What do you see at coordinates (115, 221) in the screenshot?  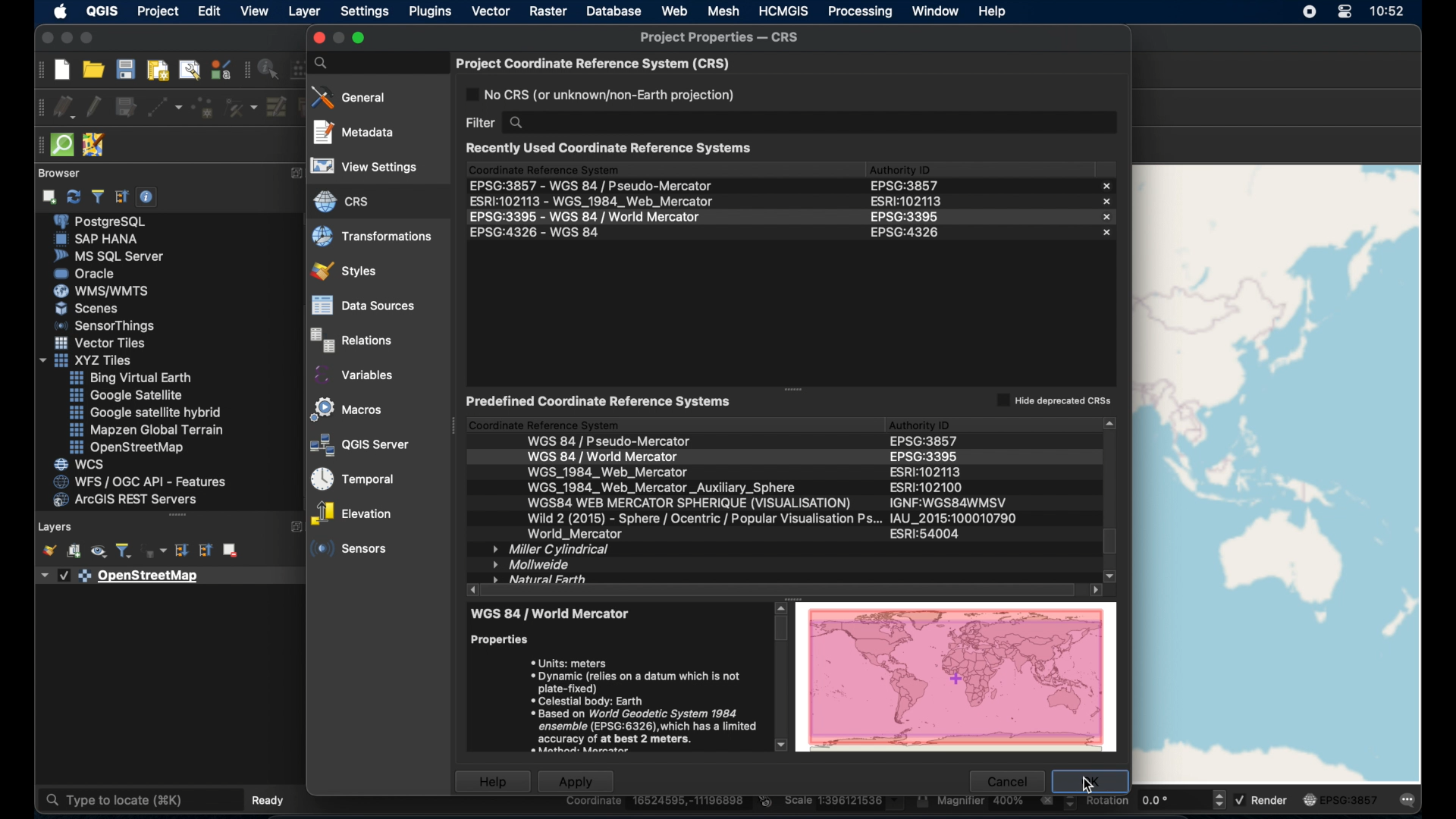 I see `postgre sql` at bounding box center [115, 221].